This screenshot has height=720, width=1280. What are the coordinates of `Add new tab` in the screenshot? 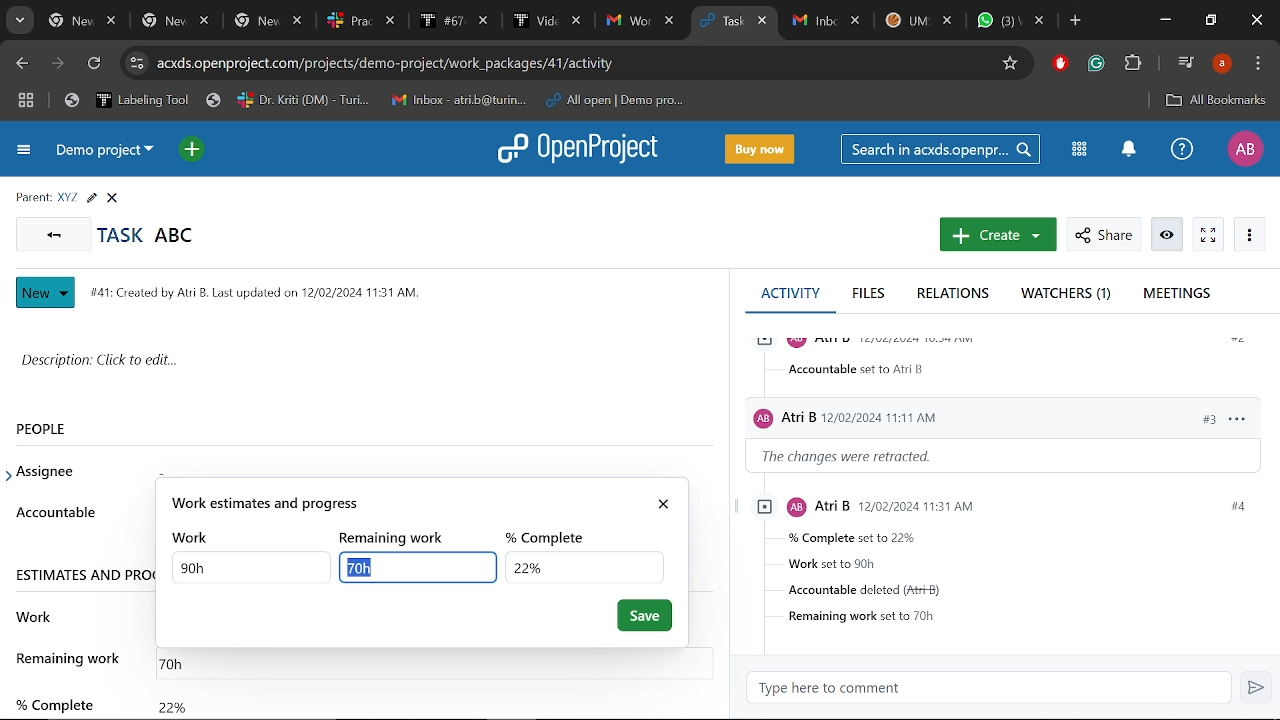 It's located at (1075, 22).